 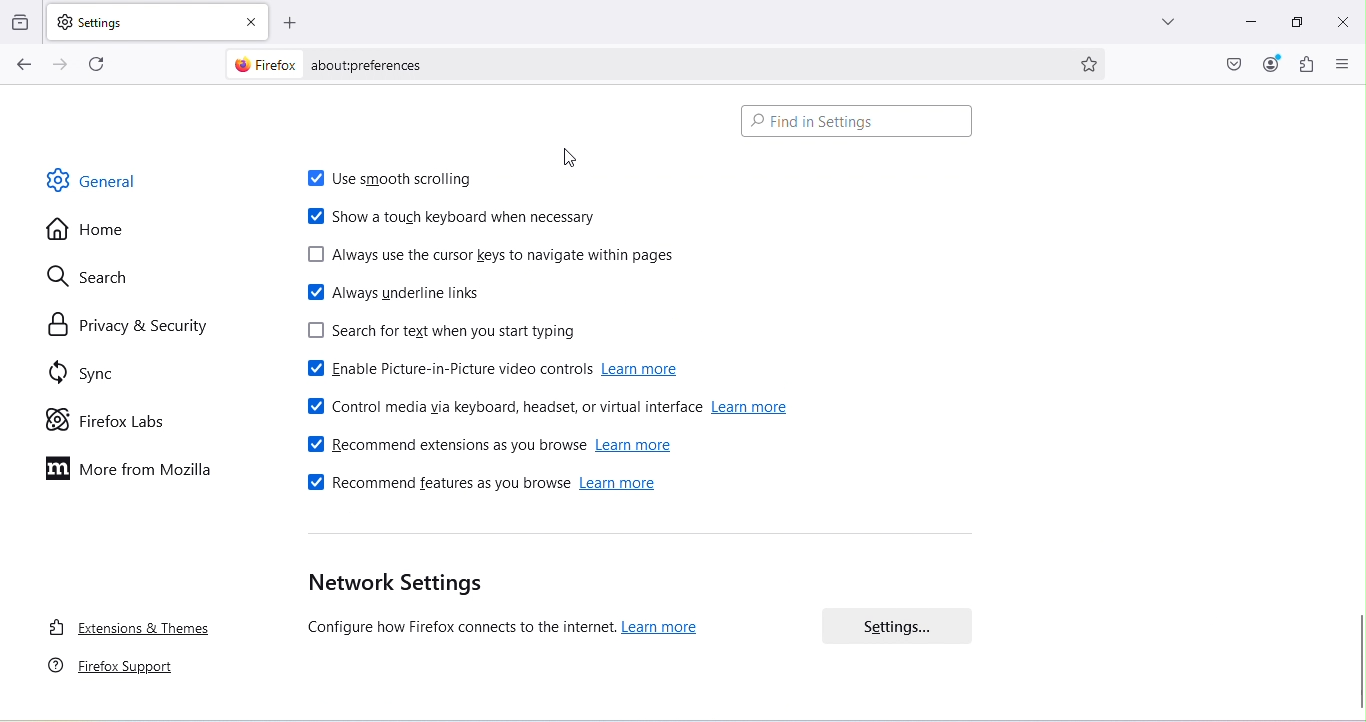 What do you see at coordinates (1340, 64) in the screenshot?
I see `Open application menu` at bounding box center [1340, 64].